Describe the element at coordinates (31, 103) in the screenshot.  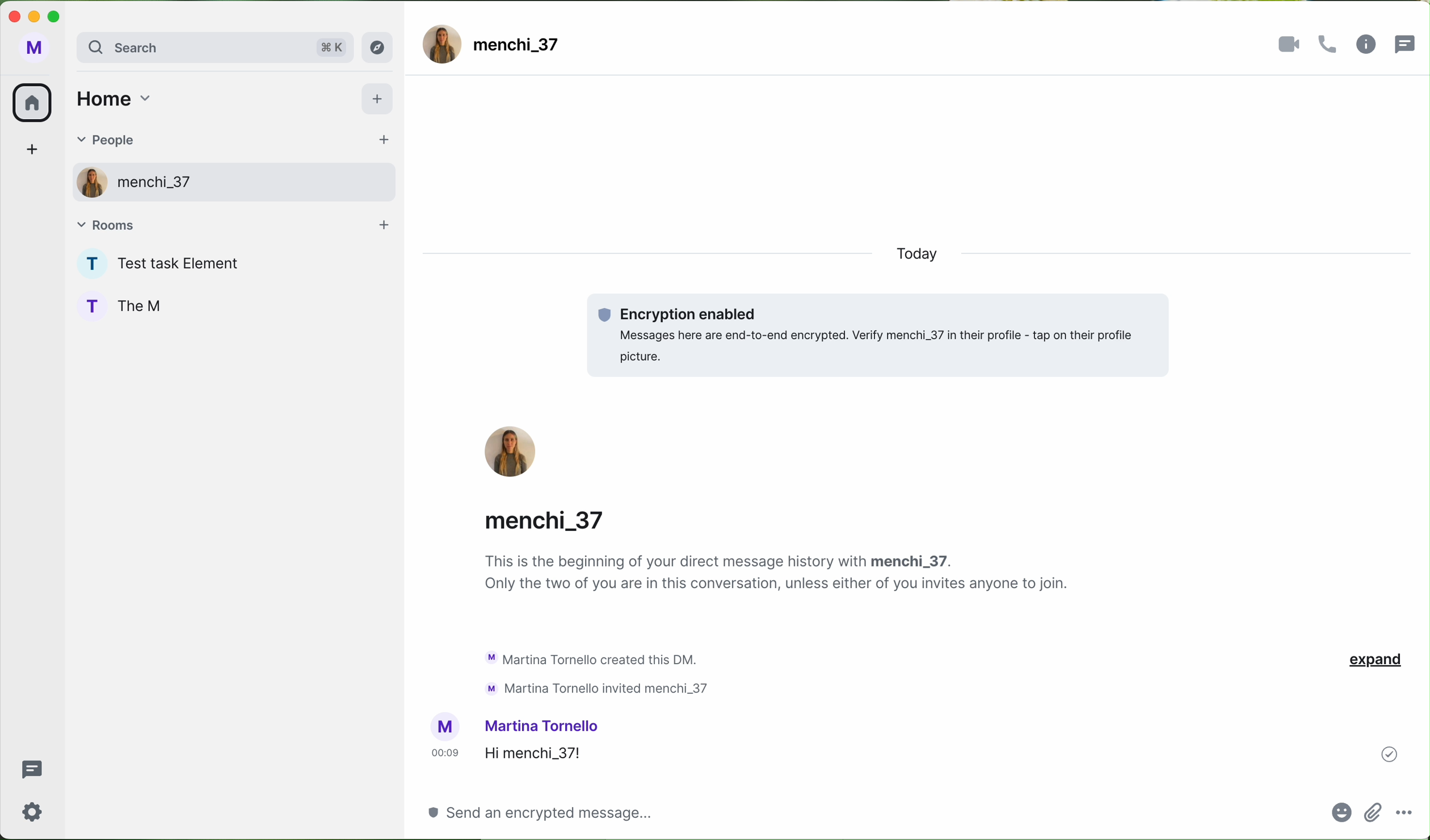
I see `home icon` at that location.